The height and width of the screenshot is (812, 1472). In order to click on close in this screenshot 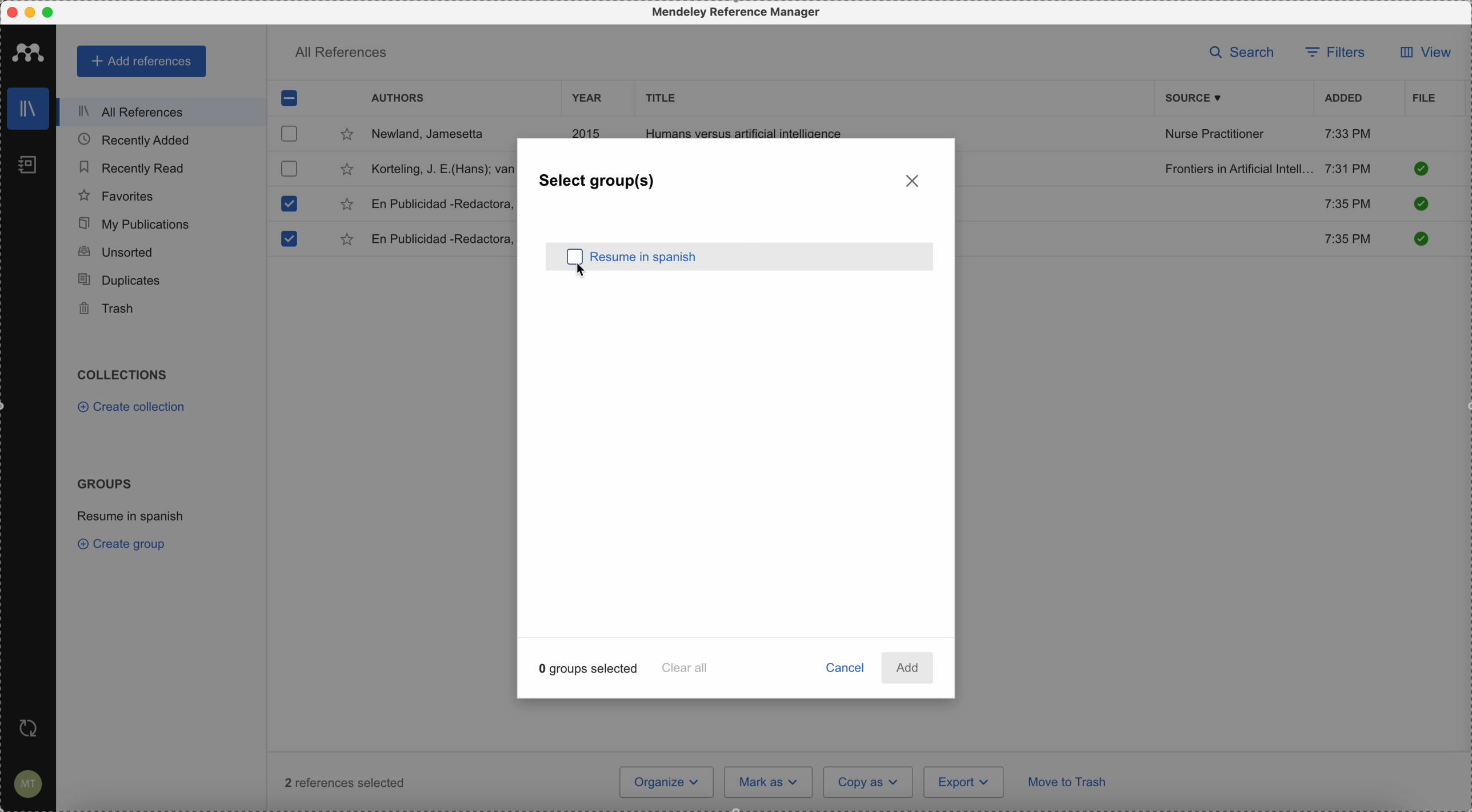, I will do `click(914, 180)`.